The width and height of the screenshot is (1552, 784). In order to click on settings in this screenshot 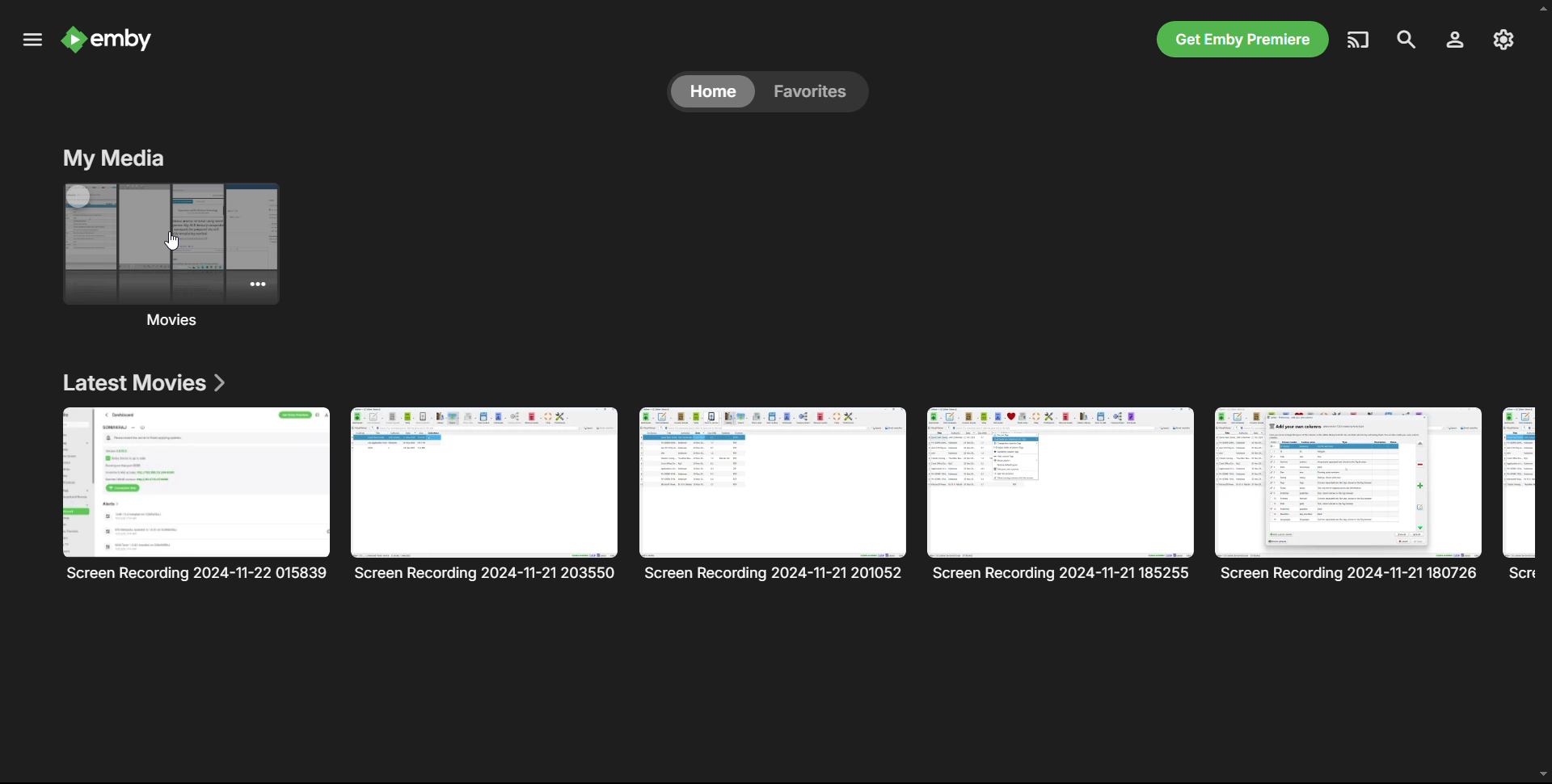, I will do `click(1503, 40)`.